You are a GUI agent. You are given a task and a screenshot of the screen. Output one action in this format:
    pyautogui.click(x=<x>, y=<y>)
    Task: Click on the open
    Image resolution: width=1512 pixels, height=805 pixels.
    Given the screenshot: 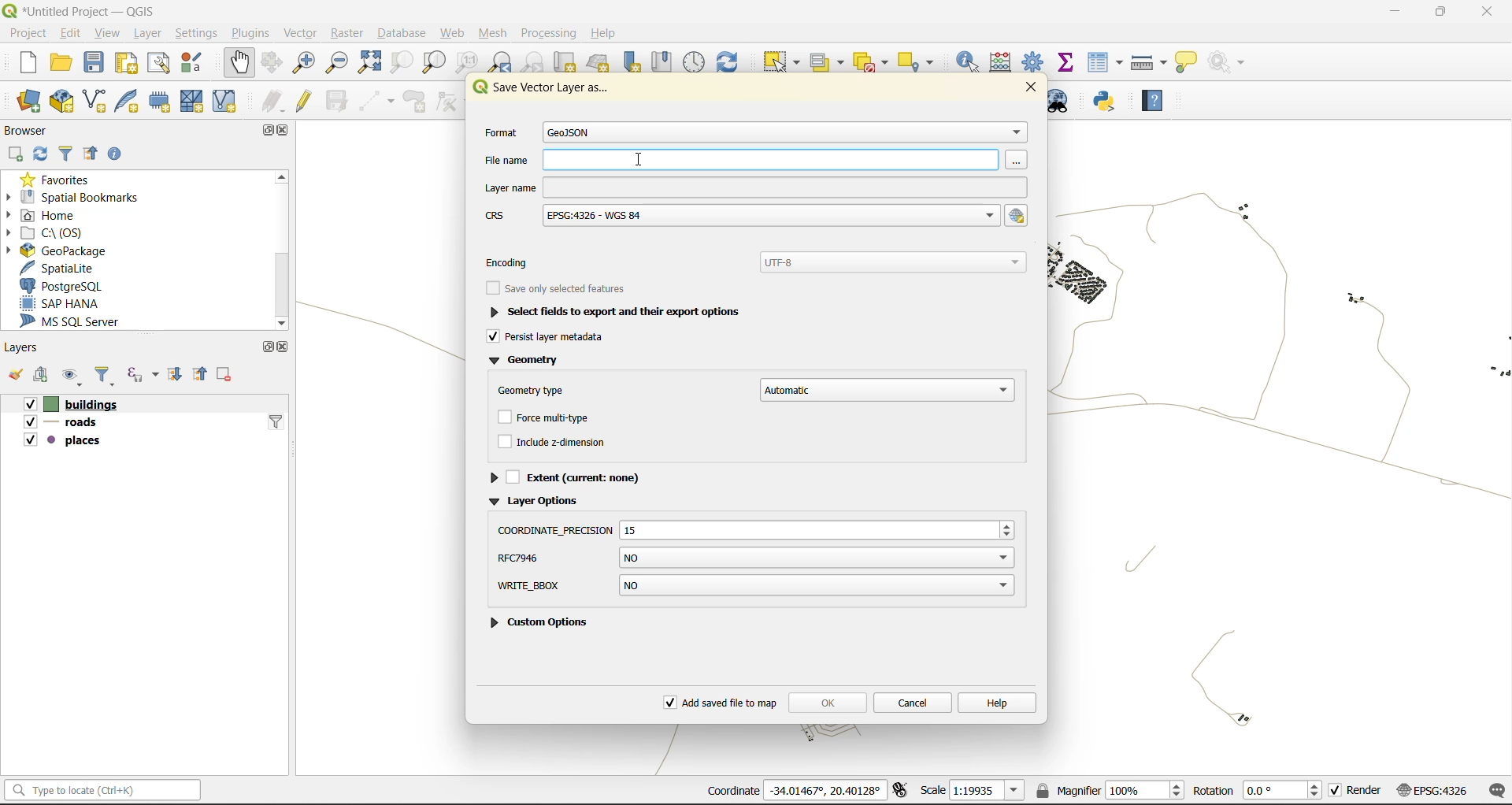 What is the action you would take?
    pyautogui.click(x=58, y=62)
    